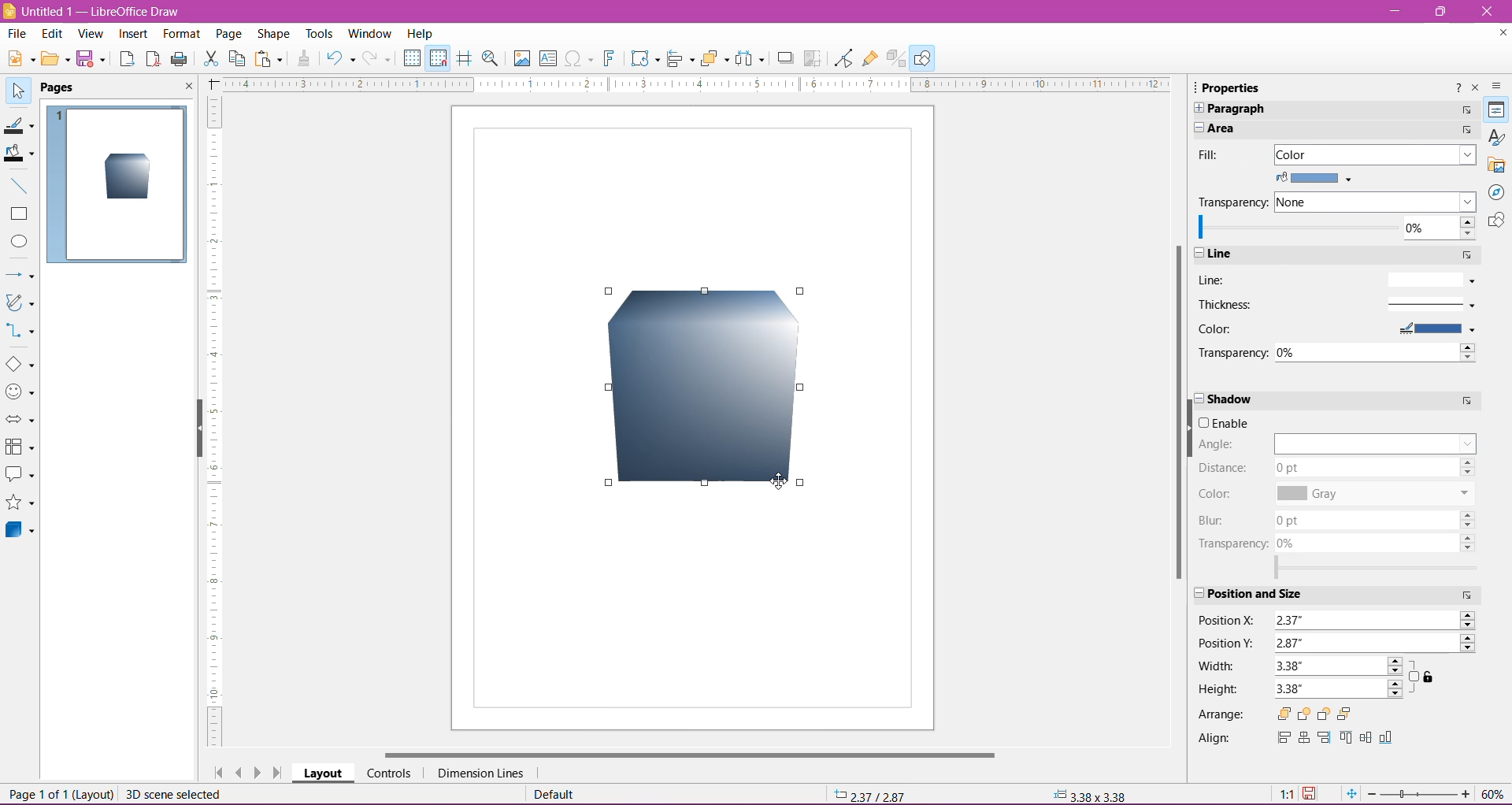 The image size is (1512, 805). What do you see at coordinates (1342, 665) in the screenshot?
I see `Emter a width for the selected object` at bounding box center [1342, 665].